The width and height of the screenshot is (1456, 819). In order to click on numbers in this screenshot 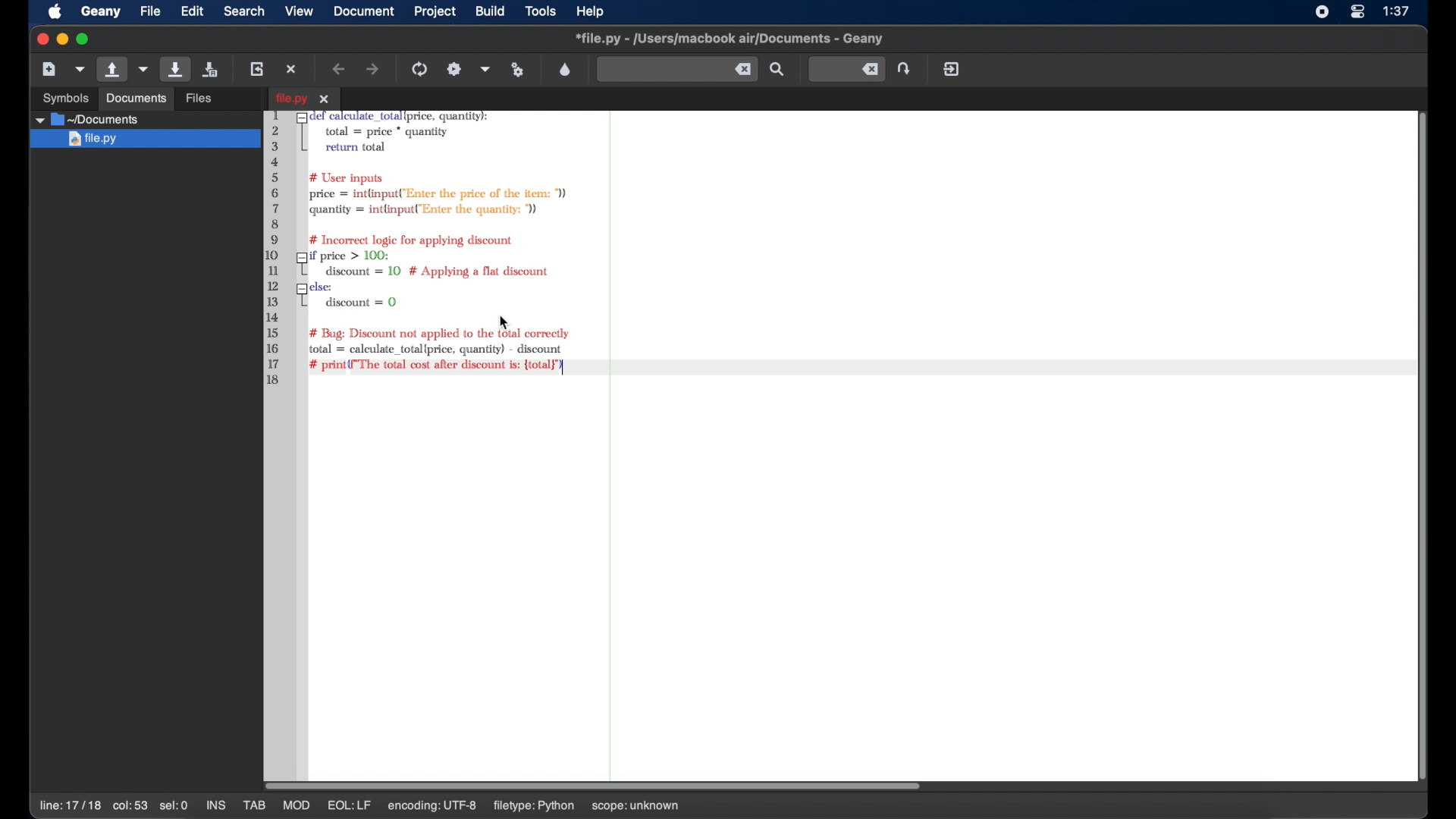, I will do `click(276, 252)`.